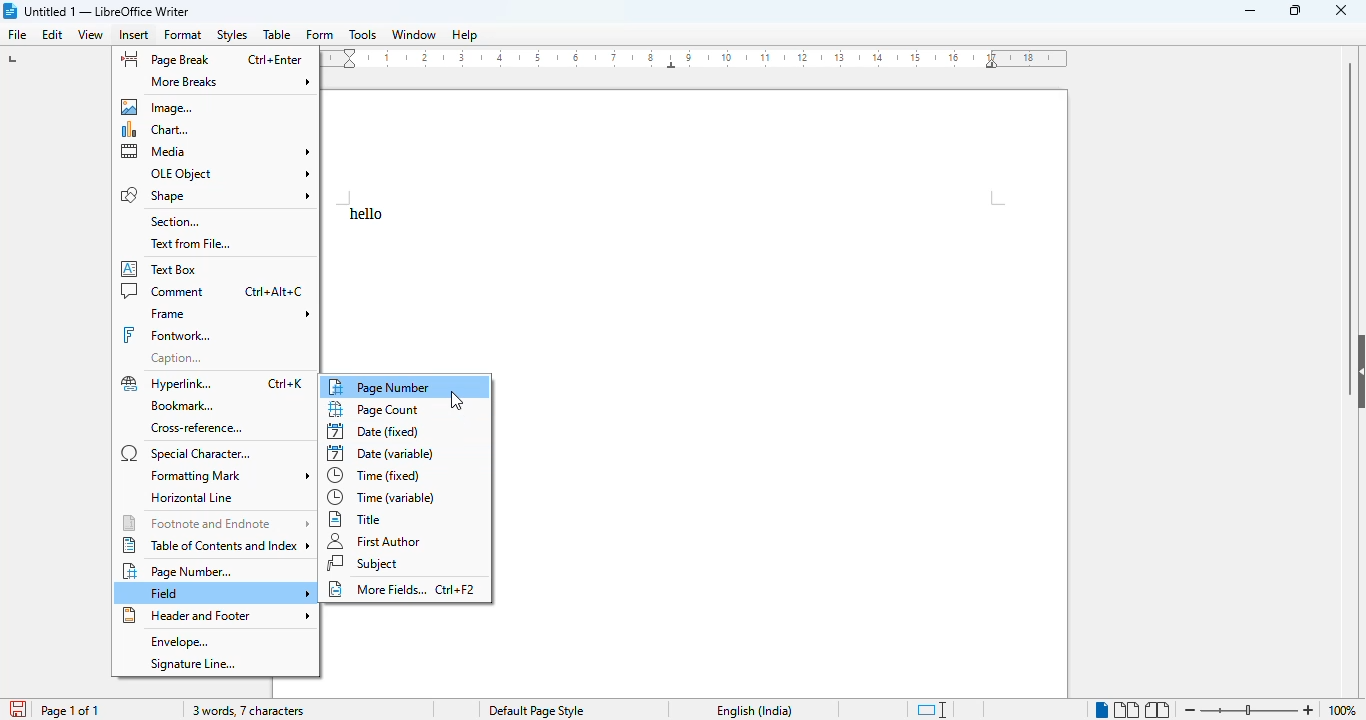 The image size is (1366, 720). What do you see at coordinates (277, 34) in the screenshot?
I see `table` at bounding box center [277, 34].